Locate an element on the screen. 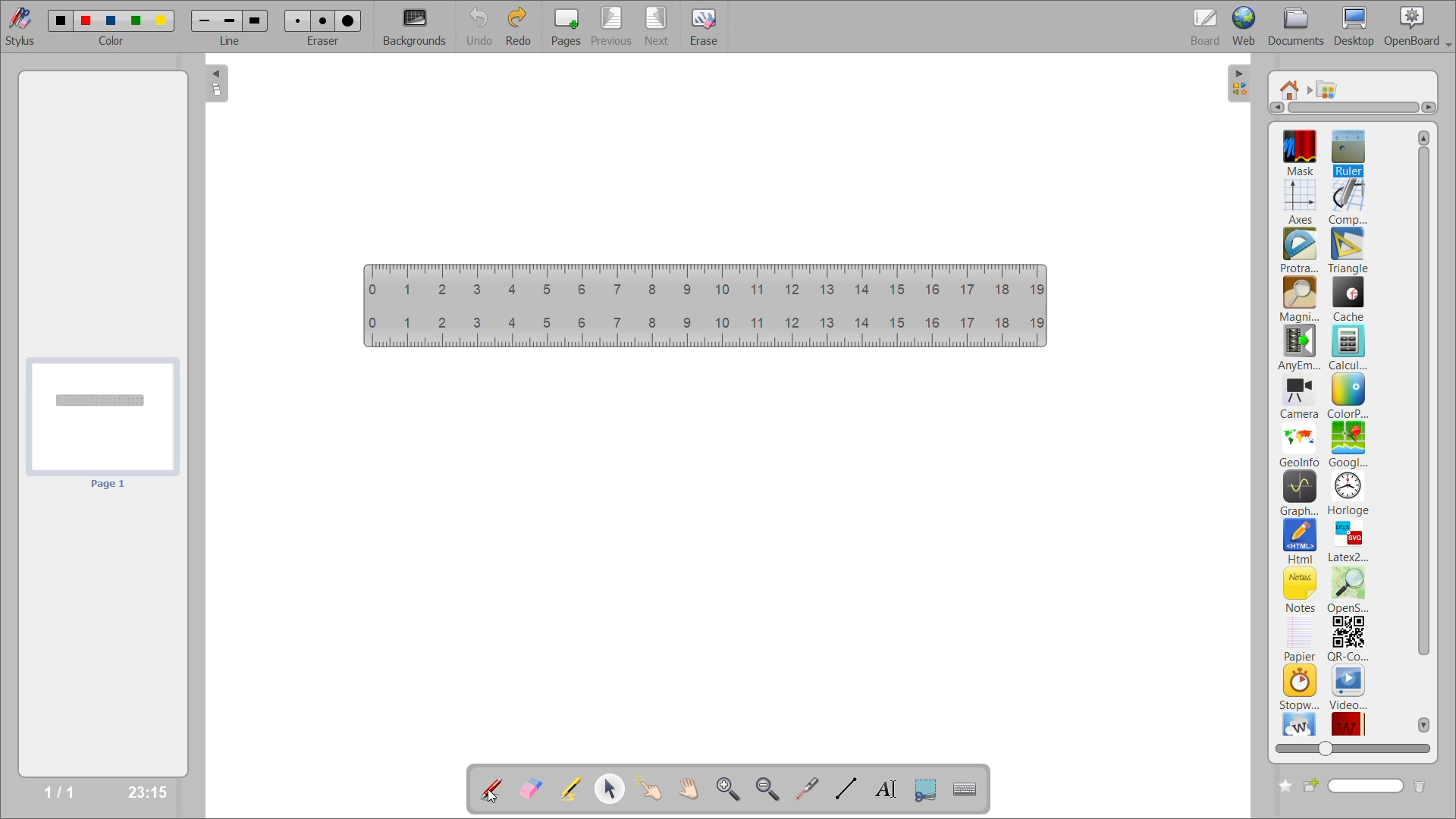 Image resolution: width=1456 pixels, height=819 pixels. html is located at coordinates (1301, 542).